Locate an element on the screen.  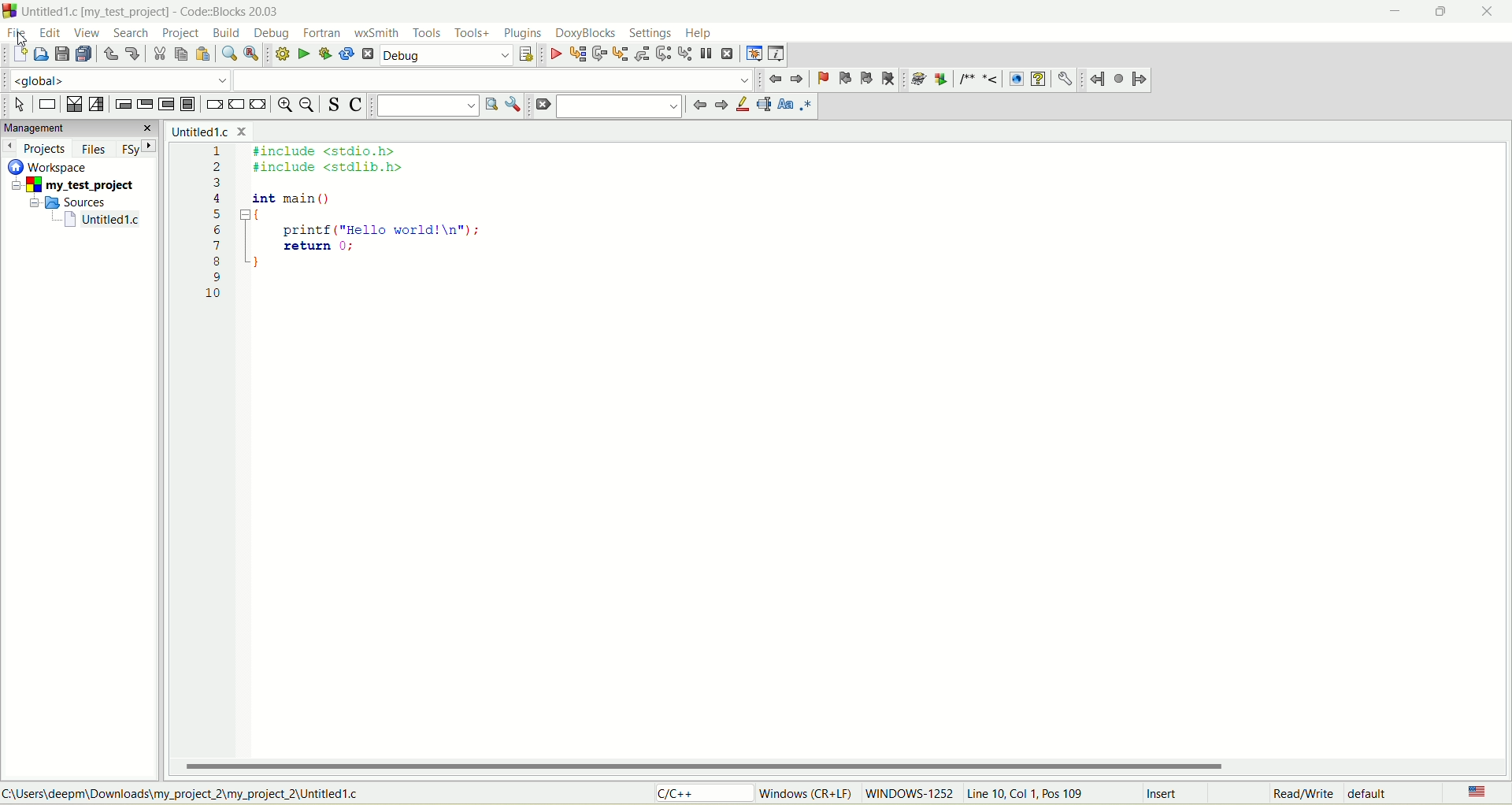
language is located at coordinates (1475, 793).